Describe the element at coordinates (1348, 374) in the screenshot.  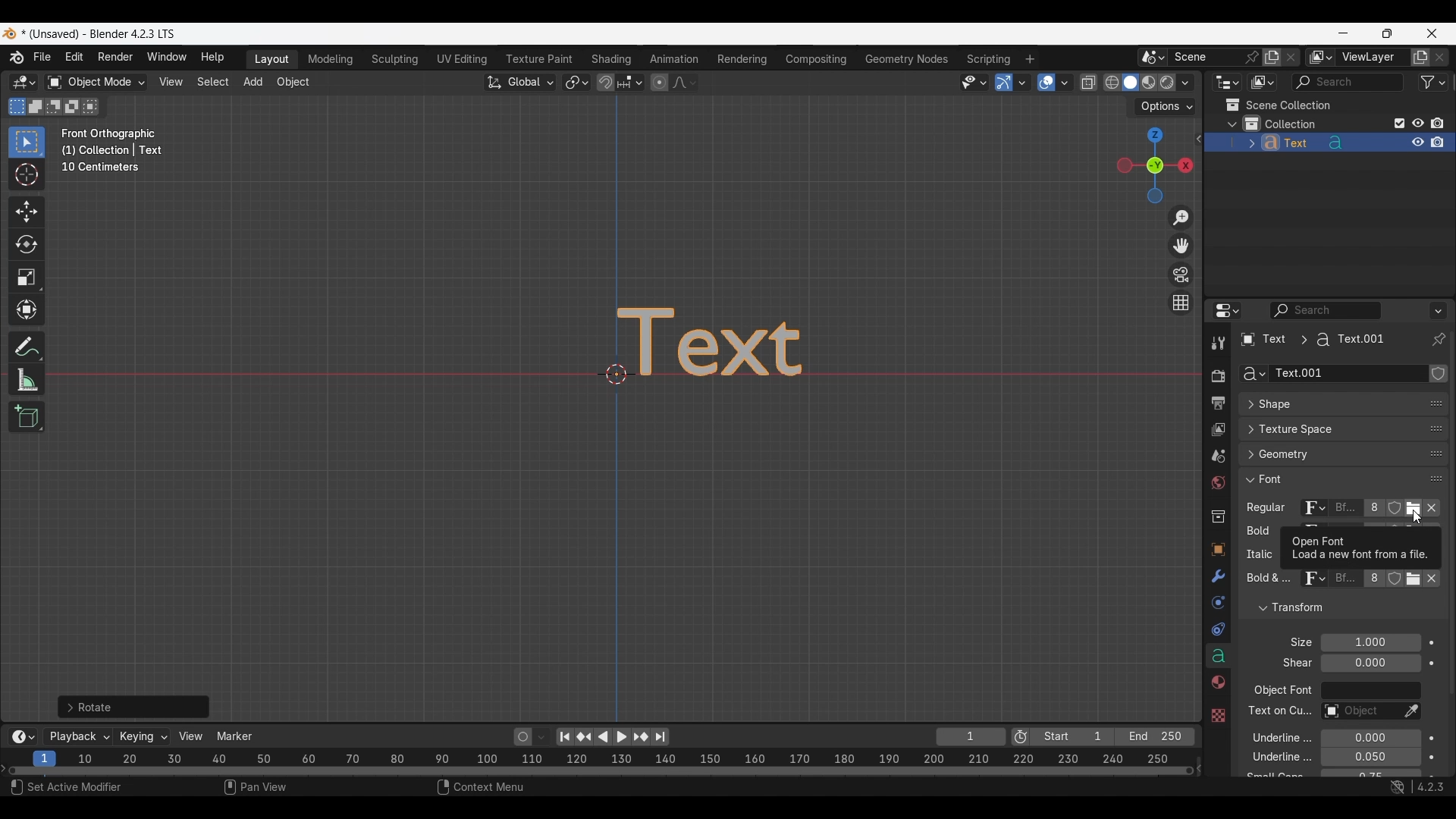
I see `Name` at that location.